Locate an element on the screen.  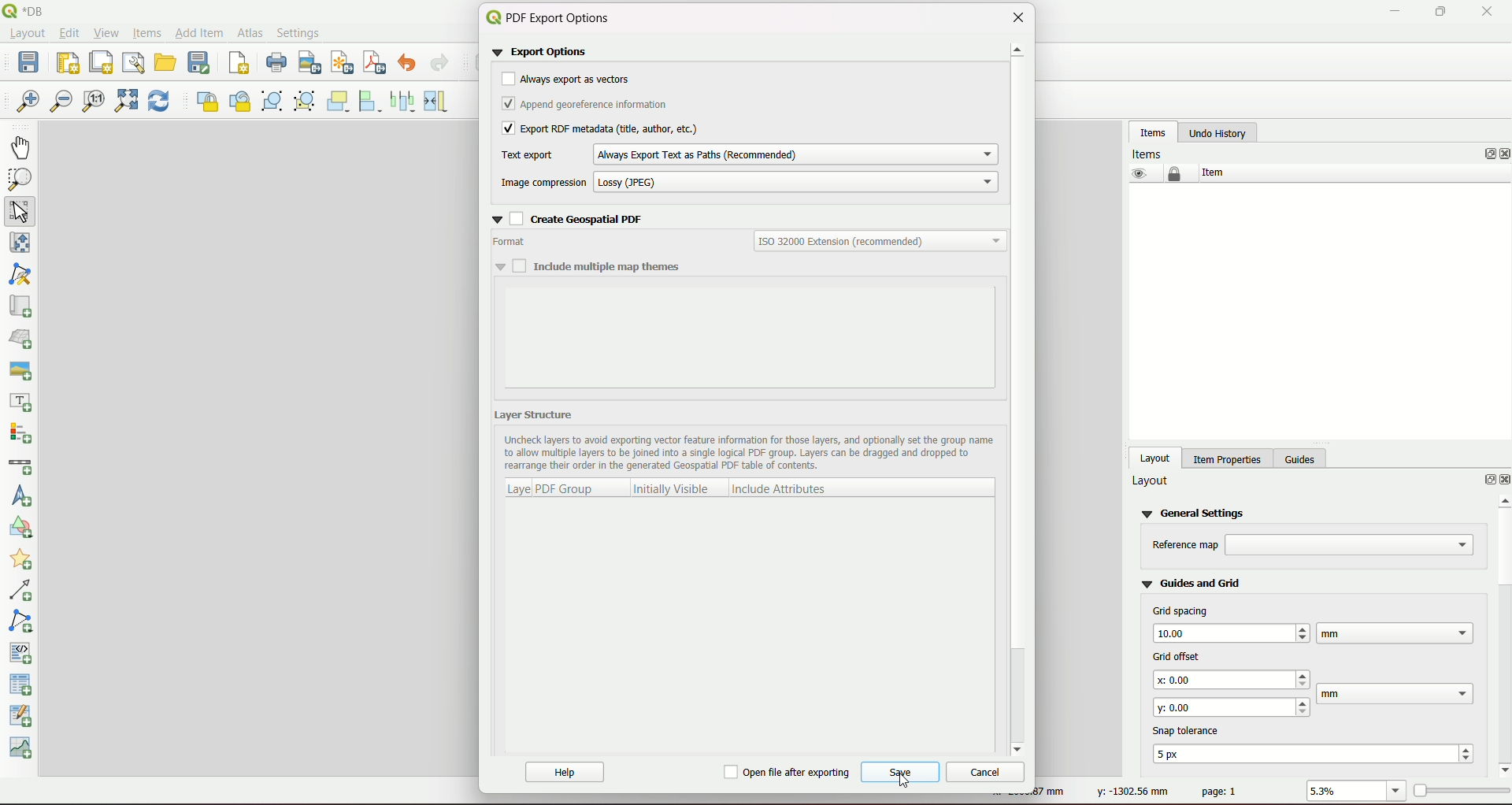
check box is located at coordinates (506, 217).